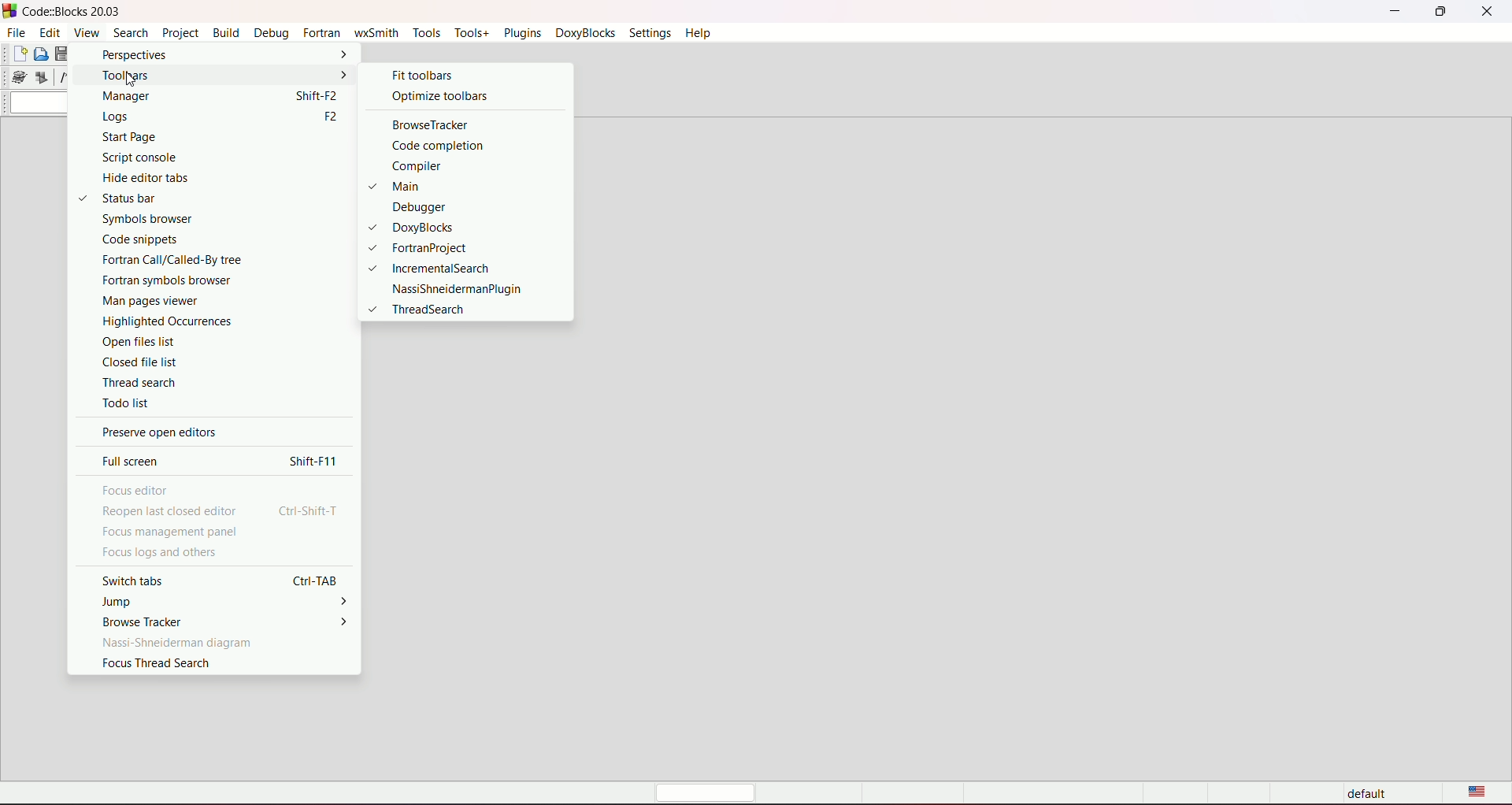 The height and width of the screenshot is (805, 1512). Describe the element at coordinates (183, 198) in the screenshot. I see `status bar` at that location.